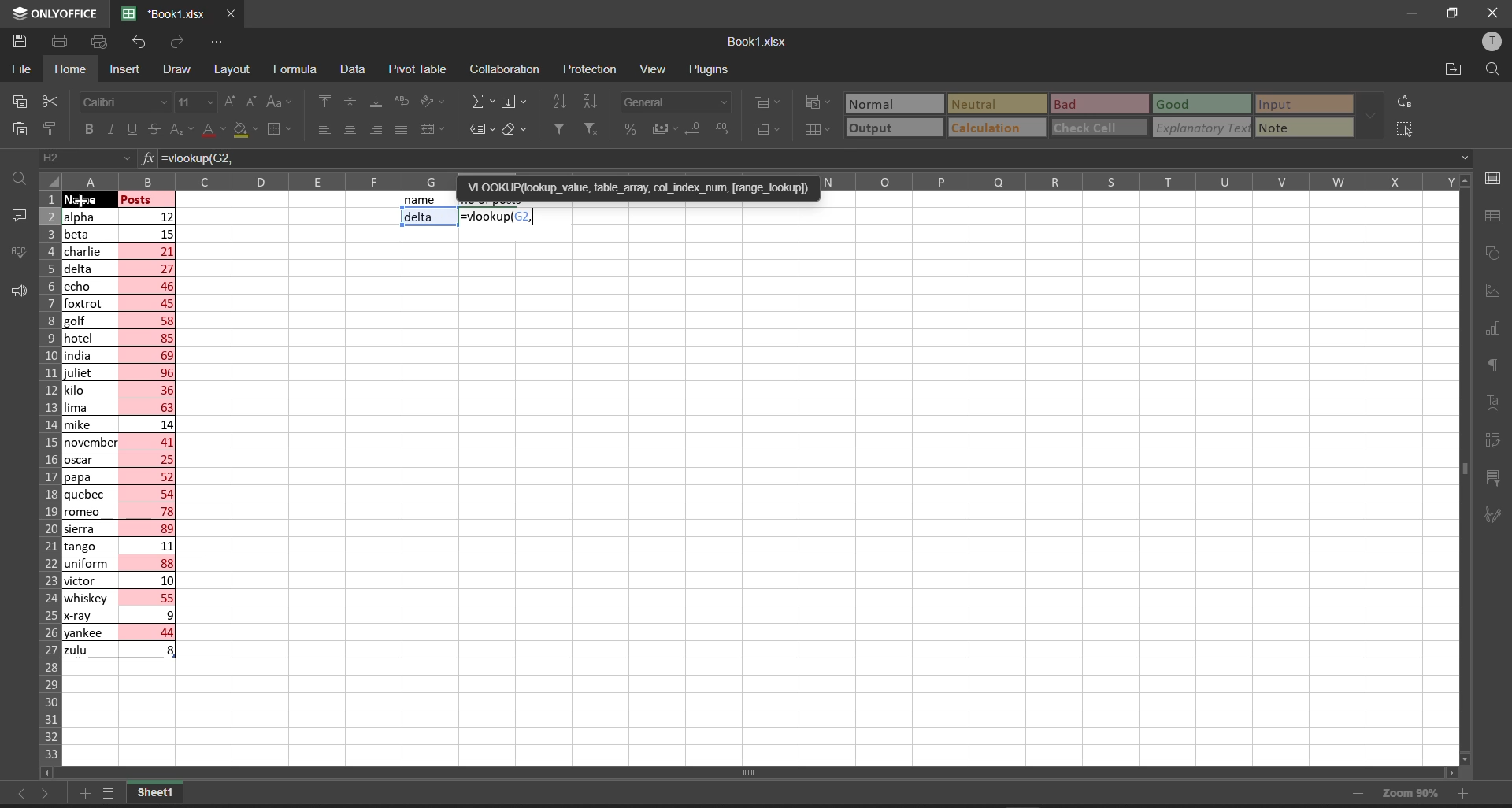  Describe the element at coordinates (594, 69) in the screenshot. I see `protection` at that location.